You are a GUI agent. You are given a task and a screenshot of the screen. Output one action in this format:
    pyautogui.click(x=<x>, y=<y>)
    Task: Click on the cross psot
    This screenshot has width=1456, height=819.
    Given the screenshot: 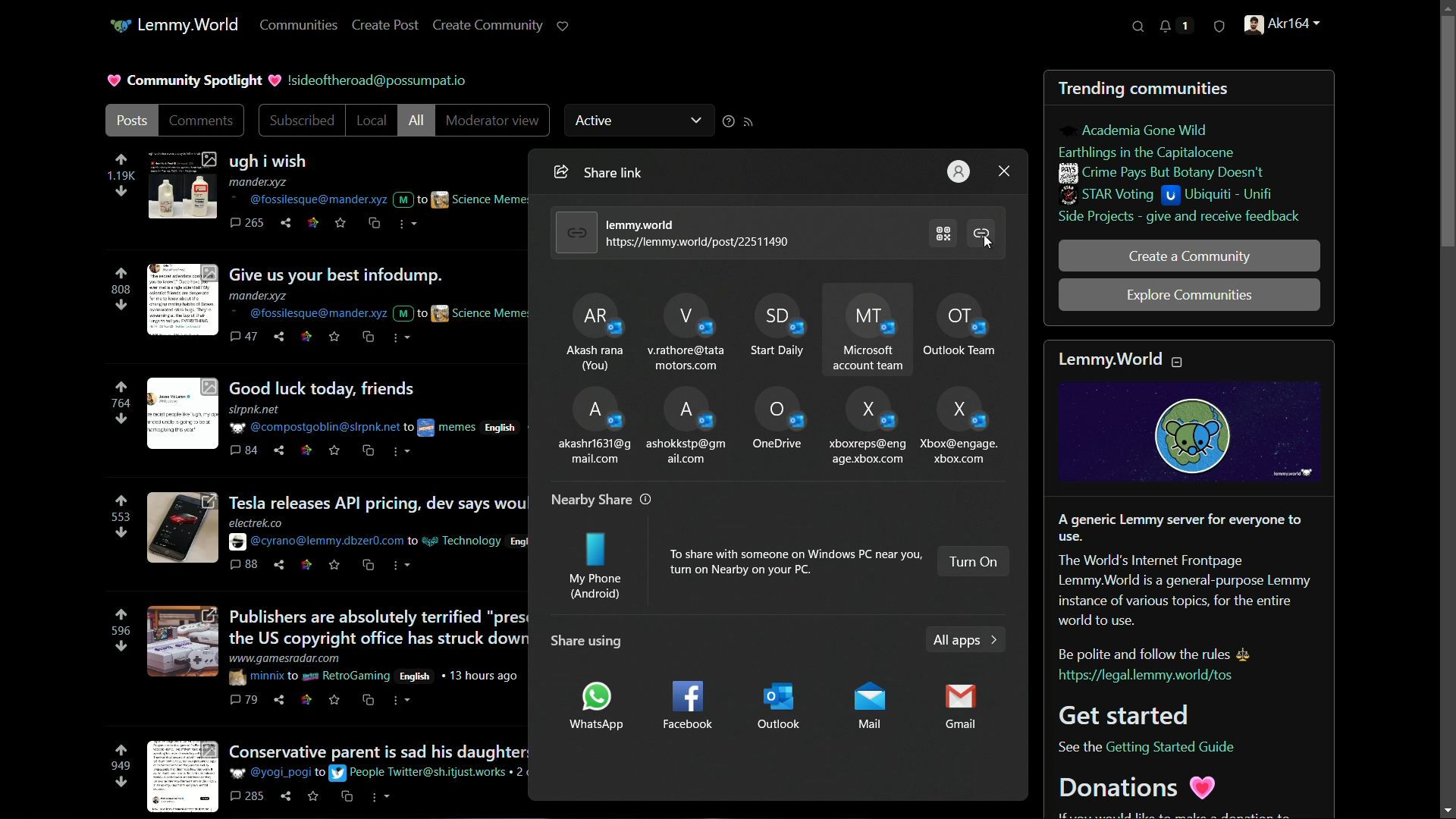 What is the action you would take?
    pyautogui.click(x=348, y=797)
    